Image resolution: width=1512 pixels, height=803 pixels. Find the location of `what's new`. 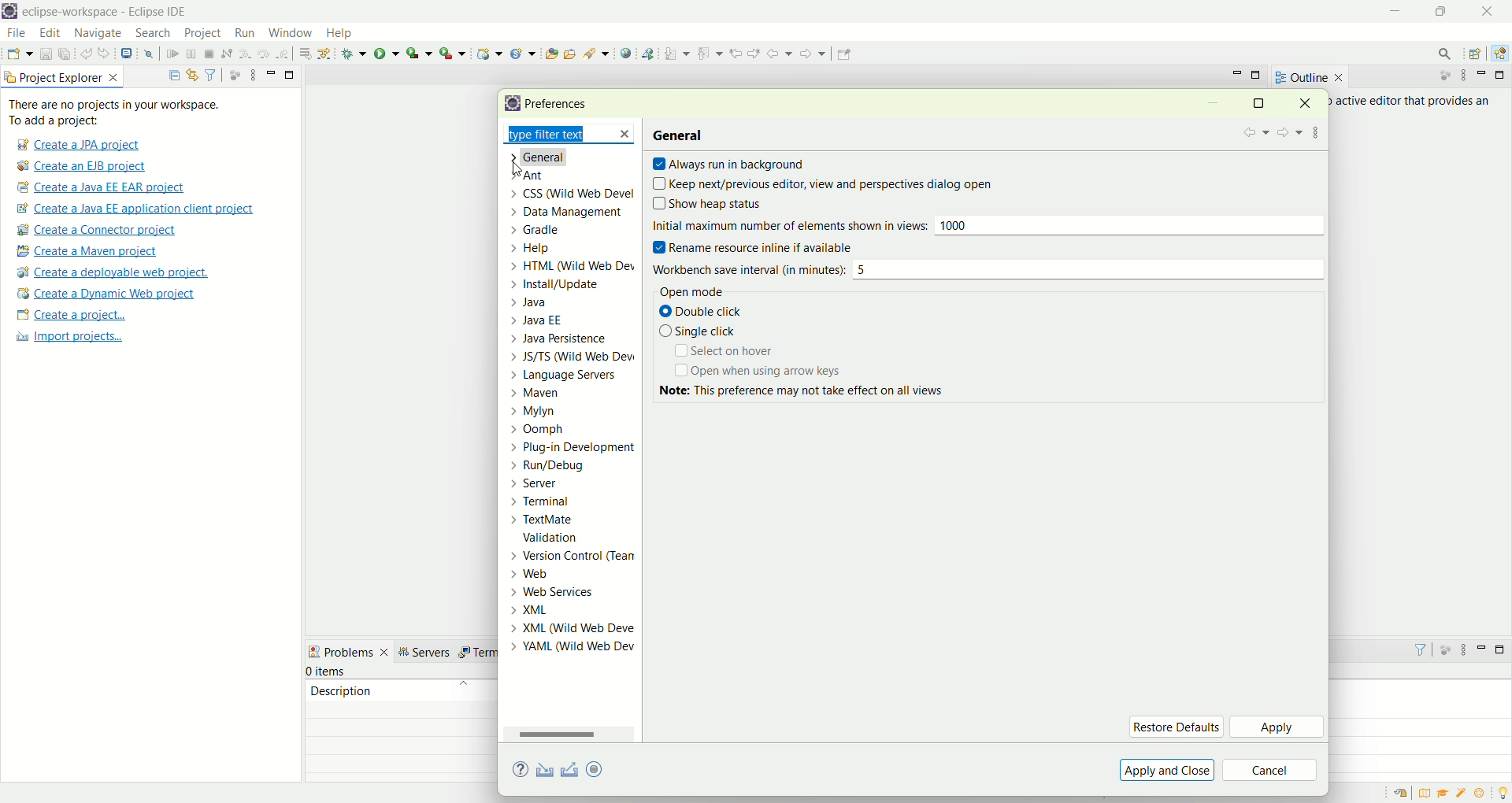

what's new is located at coordinates (1484, 794).